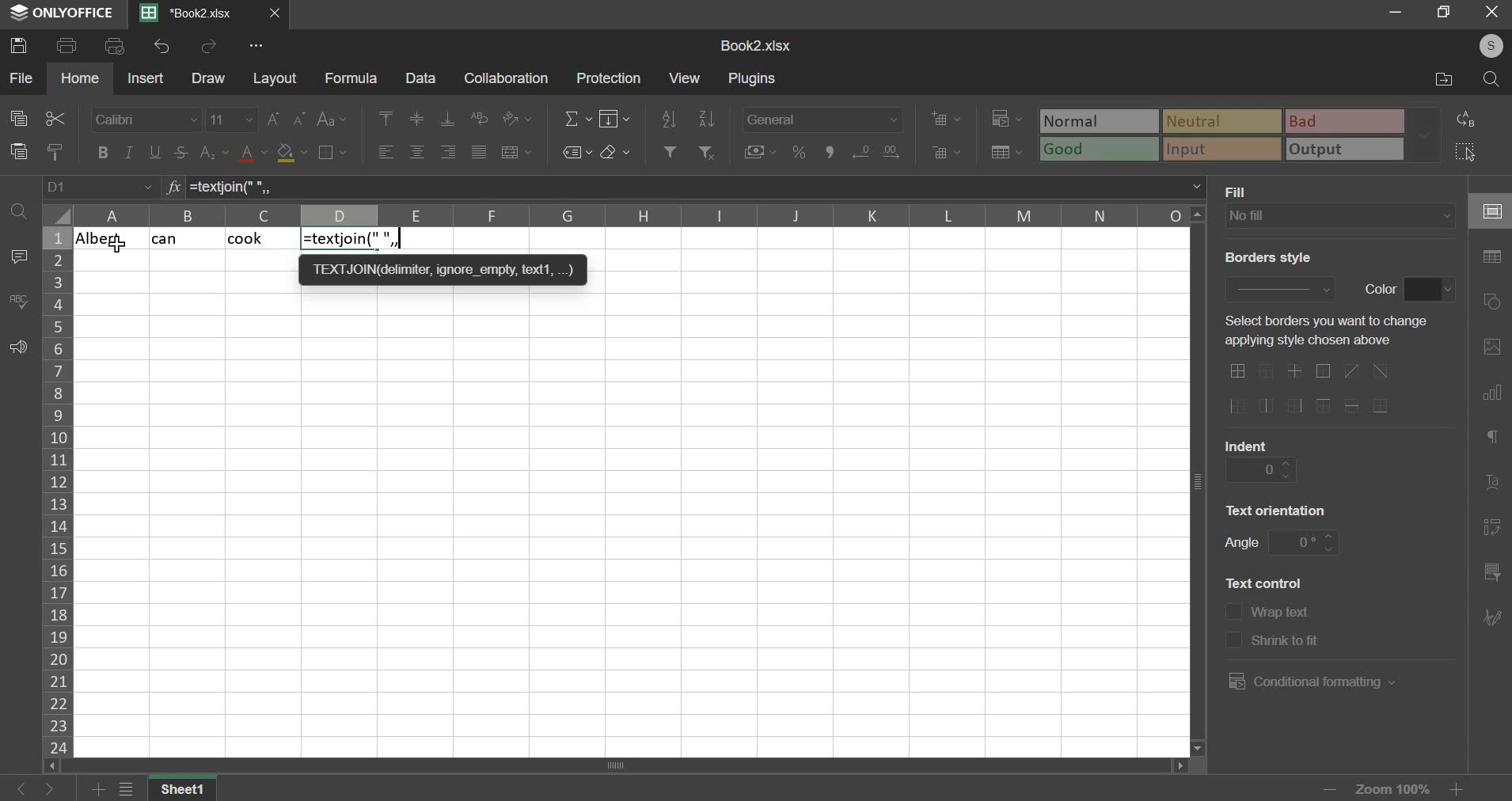  What do you see at coordinates (21, 77) in the screenshot?
I see `file` at bounding box center [21, 77].